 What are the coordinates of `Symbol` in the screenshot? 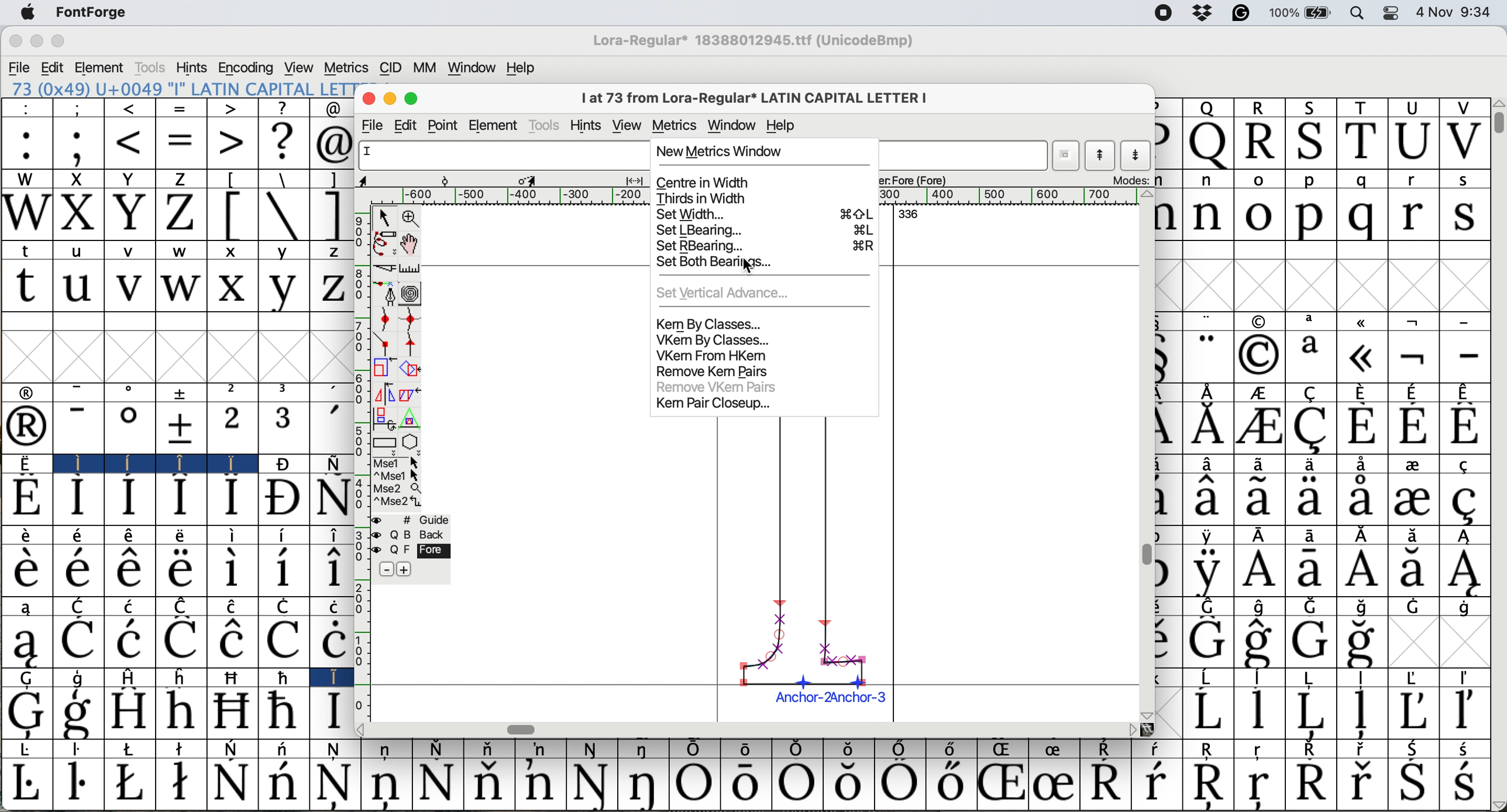 It's located at (78, 783).